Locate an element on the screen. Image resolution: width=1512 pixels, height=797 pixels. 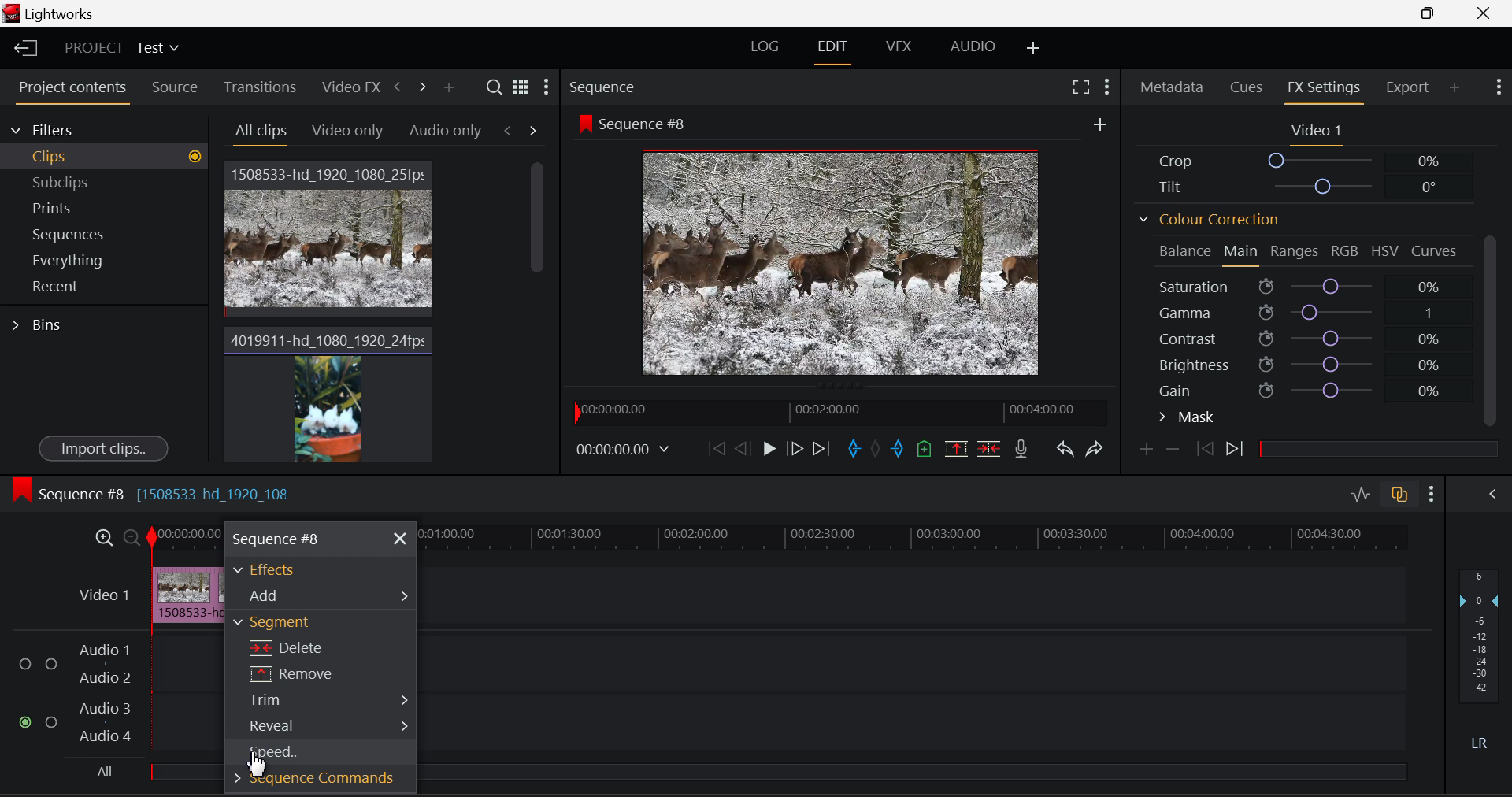
Curves is located at coordinates (1436, 250).